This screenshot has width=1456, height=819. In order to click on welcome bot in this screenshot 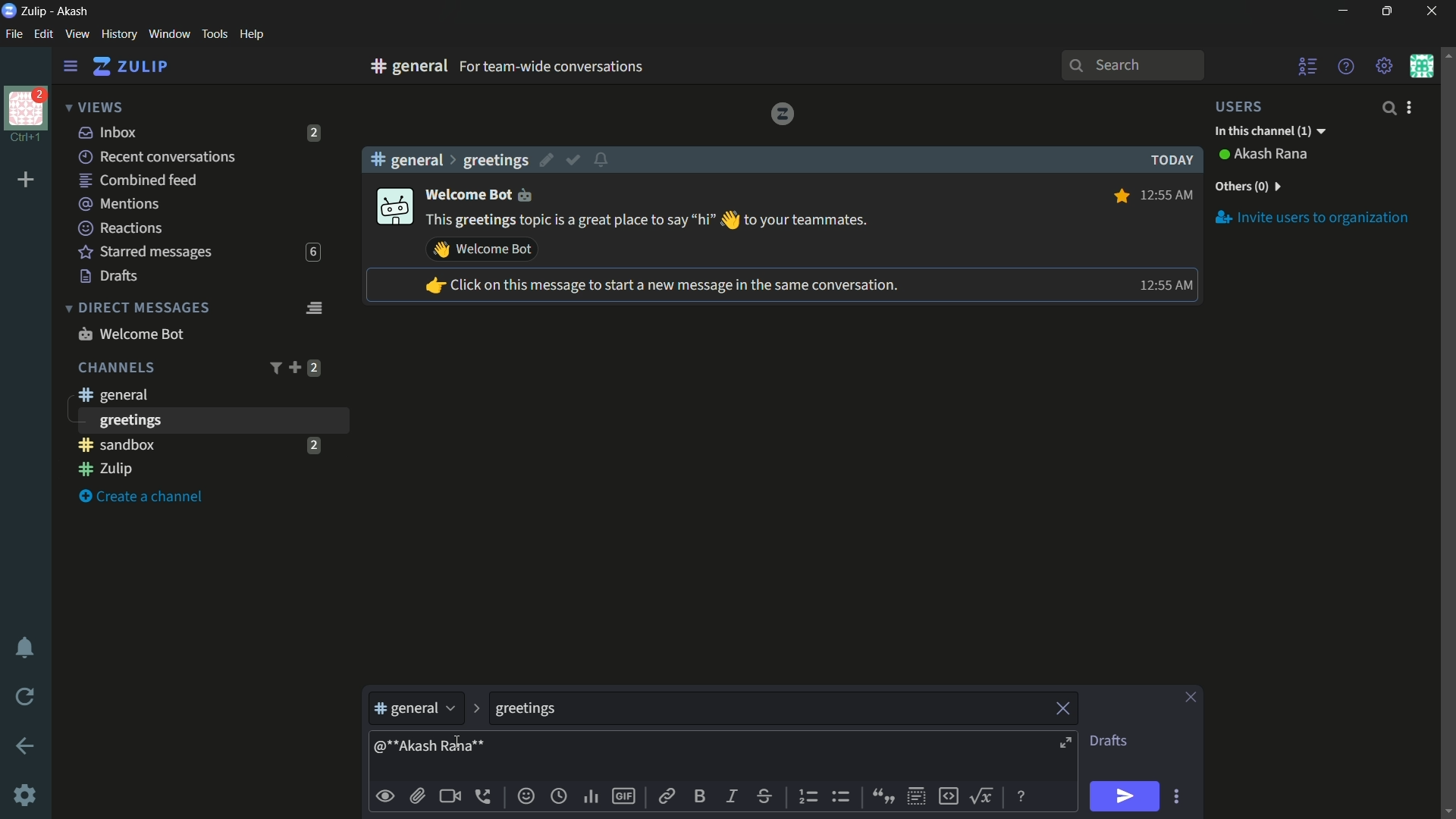, I will do `click(130, 334)`.